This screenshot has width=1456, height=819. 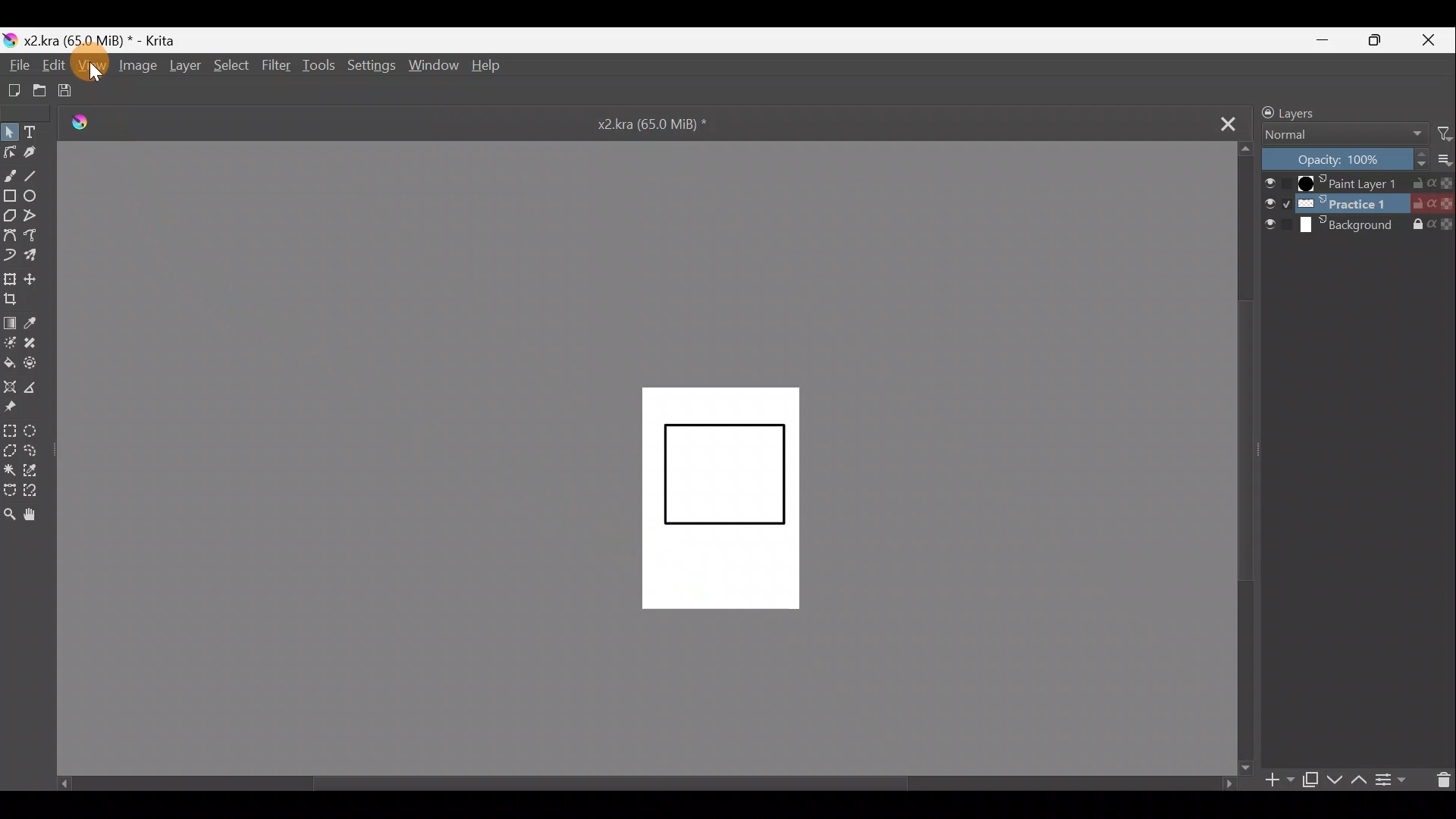 I want to click on Delete layer/mask, so click(x=1444, y=780).